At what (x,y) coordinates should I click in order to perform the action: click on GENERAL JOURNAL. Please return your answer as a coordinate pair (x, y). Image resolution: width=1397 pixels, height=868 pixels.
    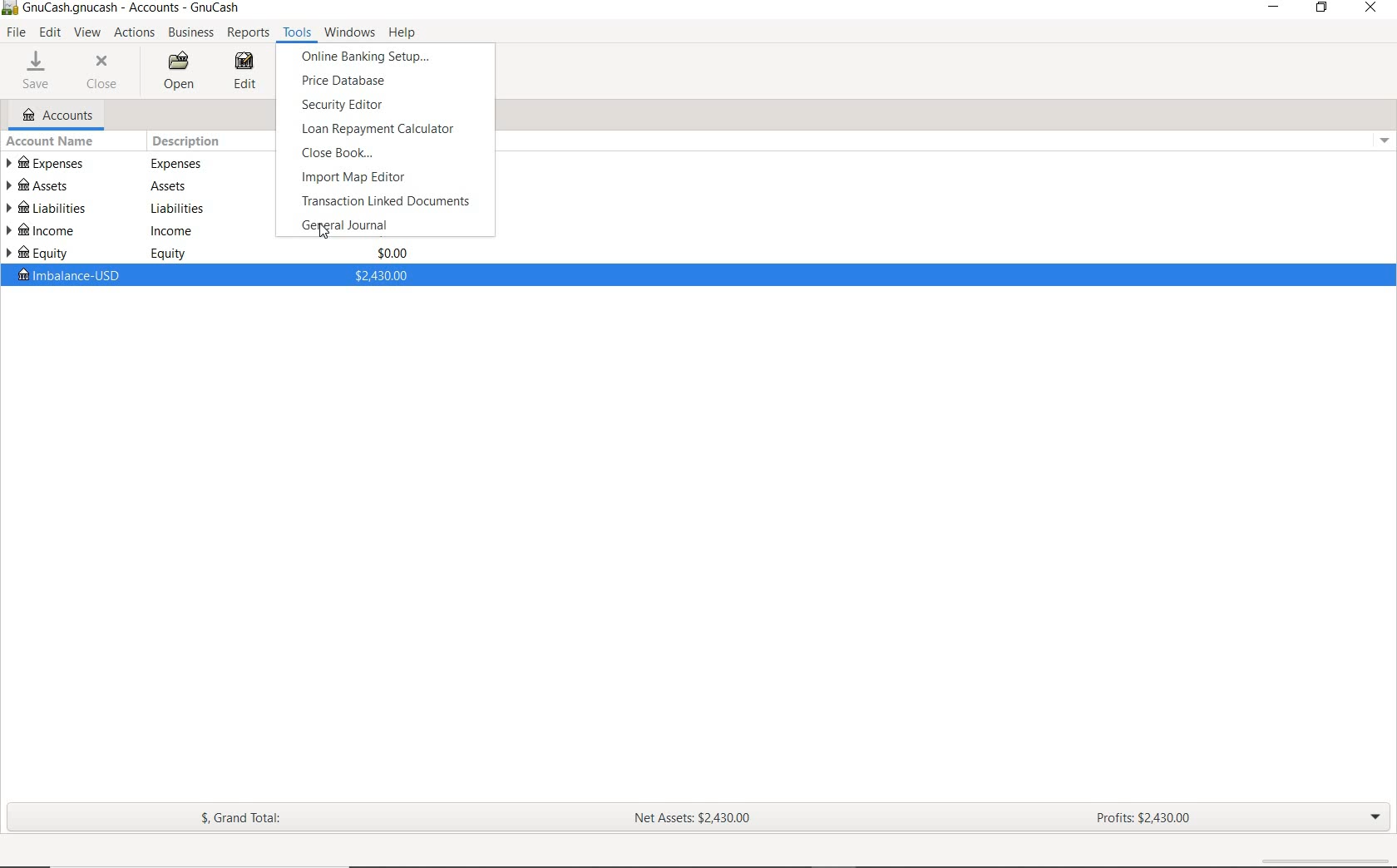
    Looking at the image, I should click on (357, 225).